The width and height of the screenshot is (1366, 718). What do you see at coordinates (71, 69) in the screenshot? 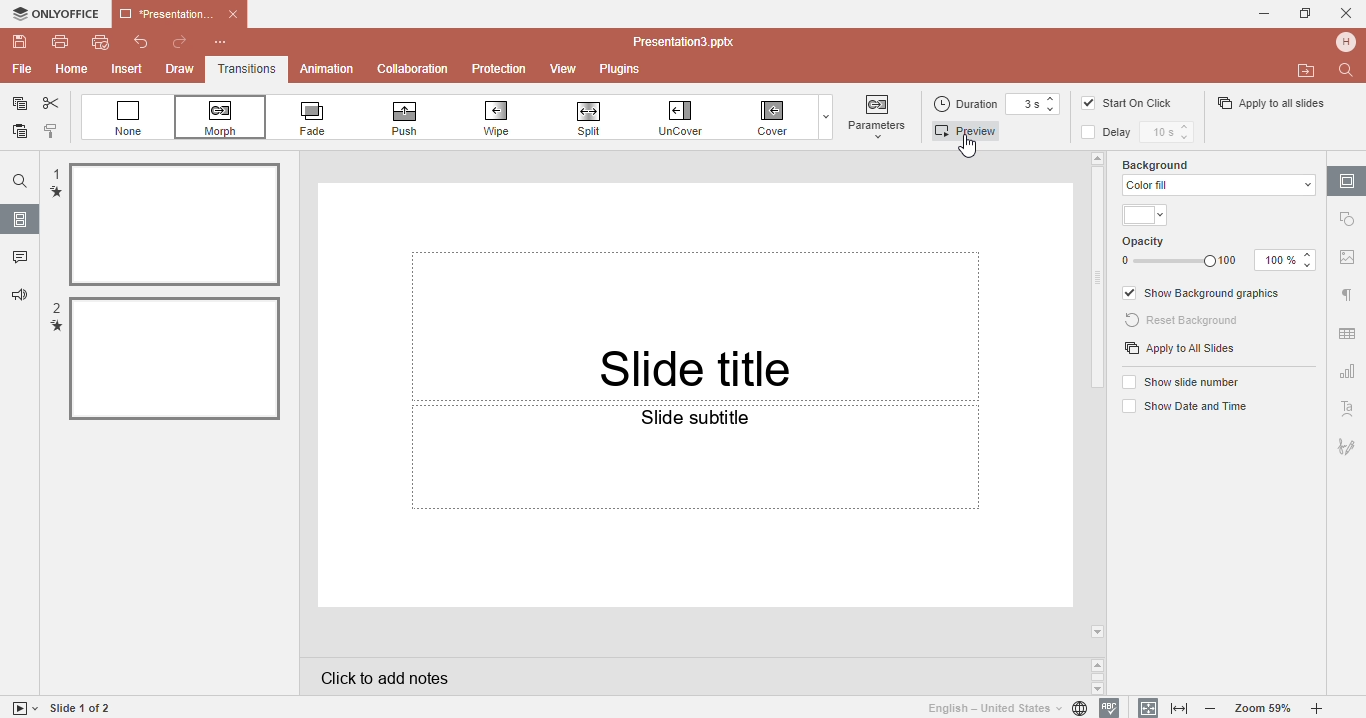
I see `Home` at bounding box center [71, 69].